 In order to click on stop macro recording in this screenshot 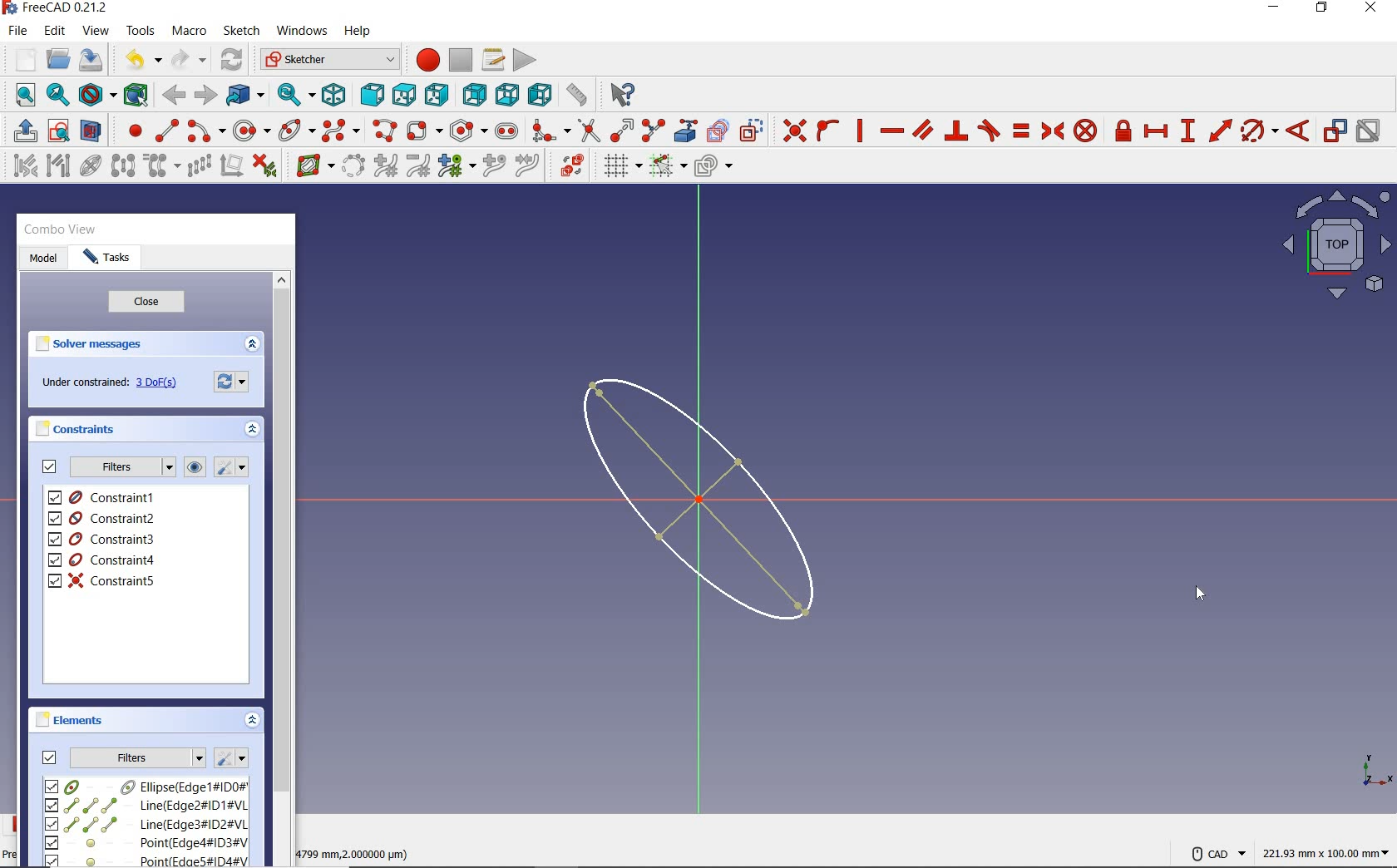, I will do `click(462, 59)`.